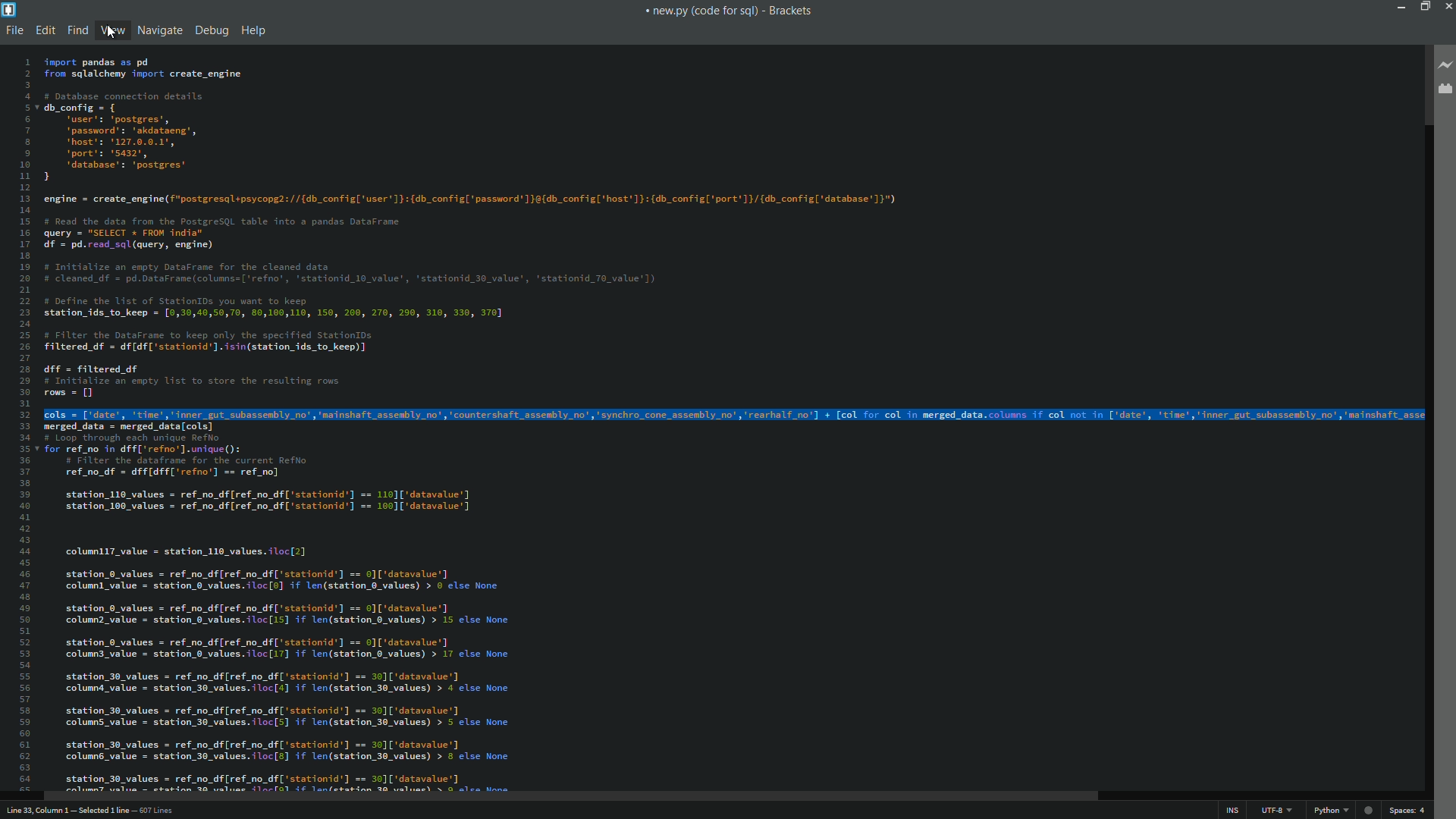 This screenshot has height=819, width=1456. What do you see at coordinates (212, 31) in the screenshot?
I see `debug menu` at bounding box center [212, 31].